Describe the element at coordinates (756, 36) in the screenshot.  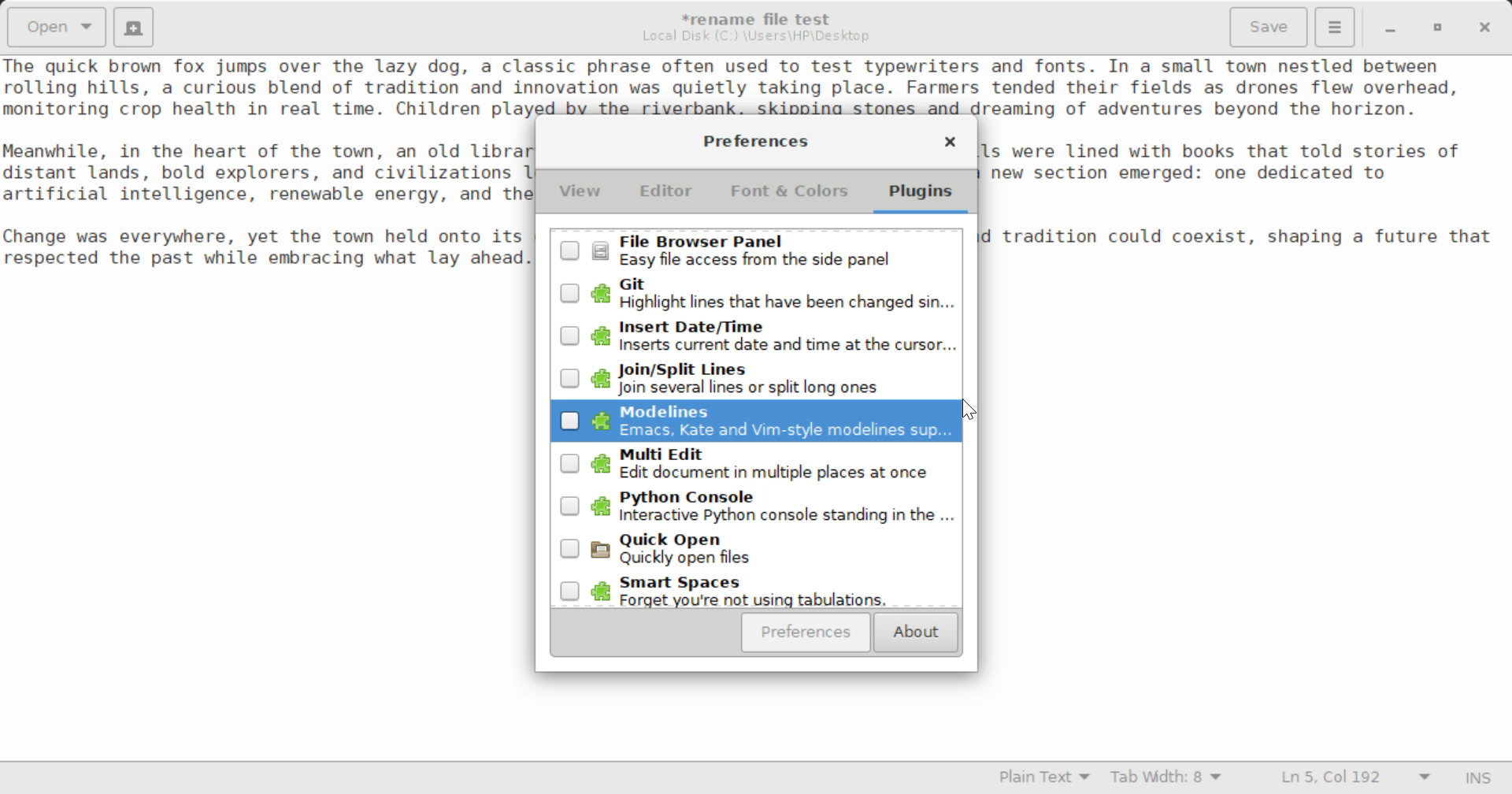
I see `File Location` at that location.